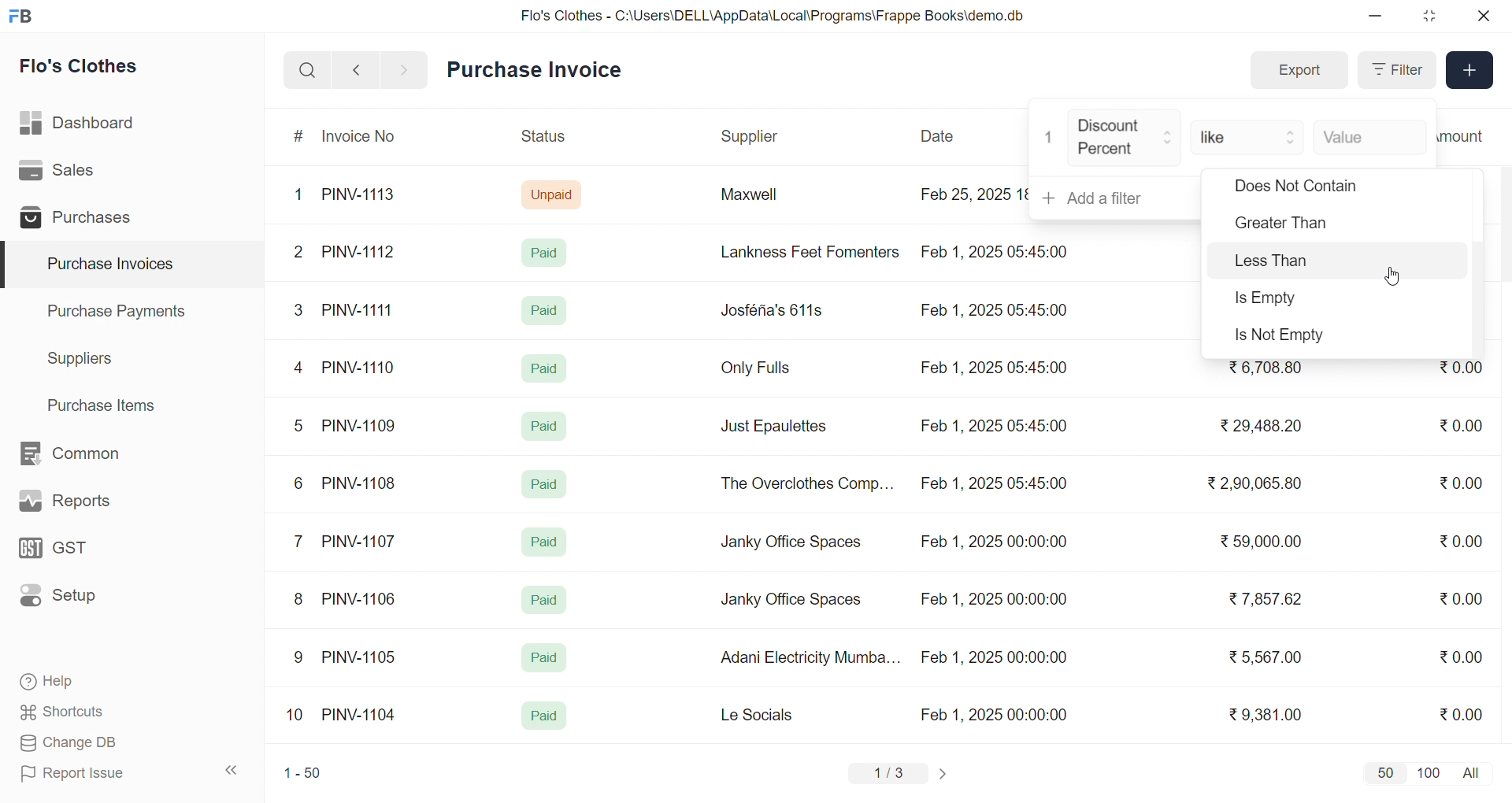 The image size is (1512, 803). Describe the element at coordinates (81, 220) in the screenshot. I see `Purchases` at that location.